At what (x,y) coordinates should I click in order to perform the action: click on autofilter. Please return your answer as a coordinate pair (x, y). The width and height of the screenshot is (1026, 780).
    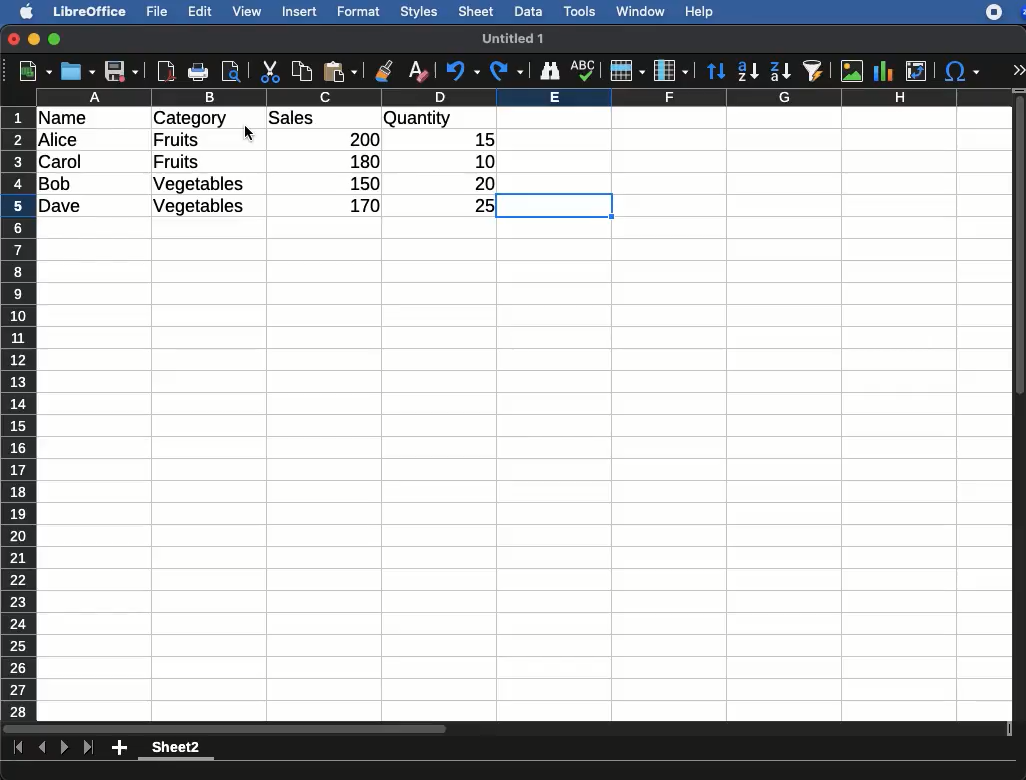
    Looking at the image, I should click on (814, 70).